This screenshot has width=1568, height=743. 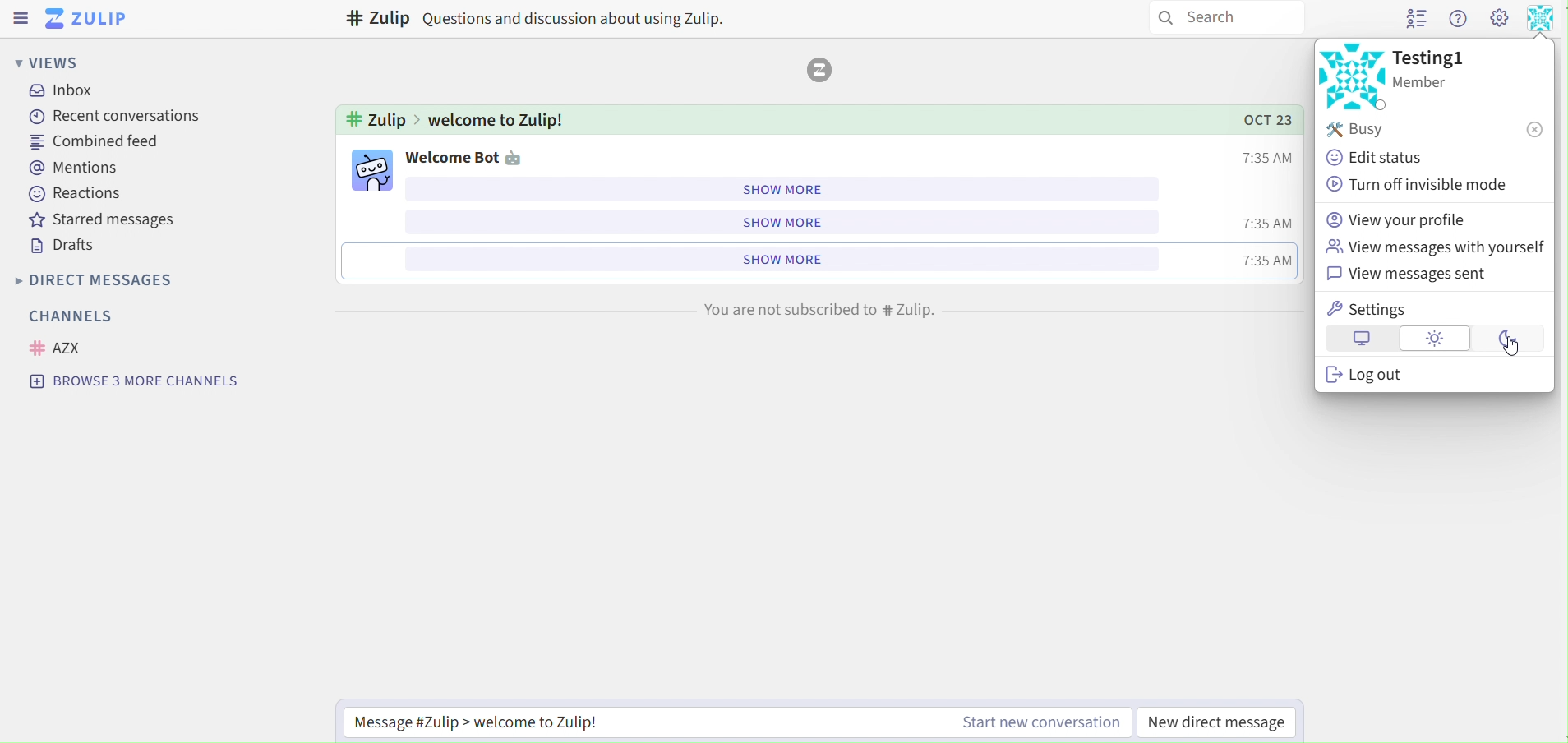 I want to click on mentions, so click(x=78, y=167).